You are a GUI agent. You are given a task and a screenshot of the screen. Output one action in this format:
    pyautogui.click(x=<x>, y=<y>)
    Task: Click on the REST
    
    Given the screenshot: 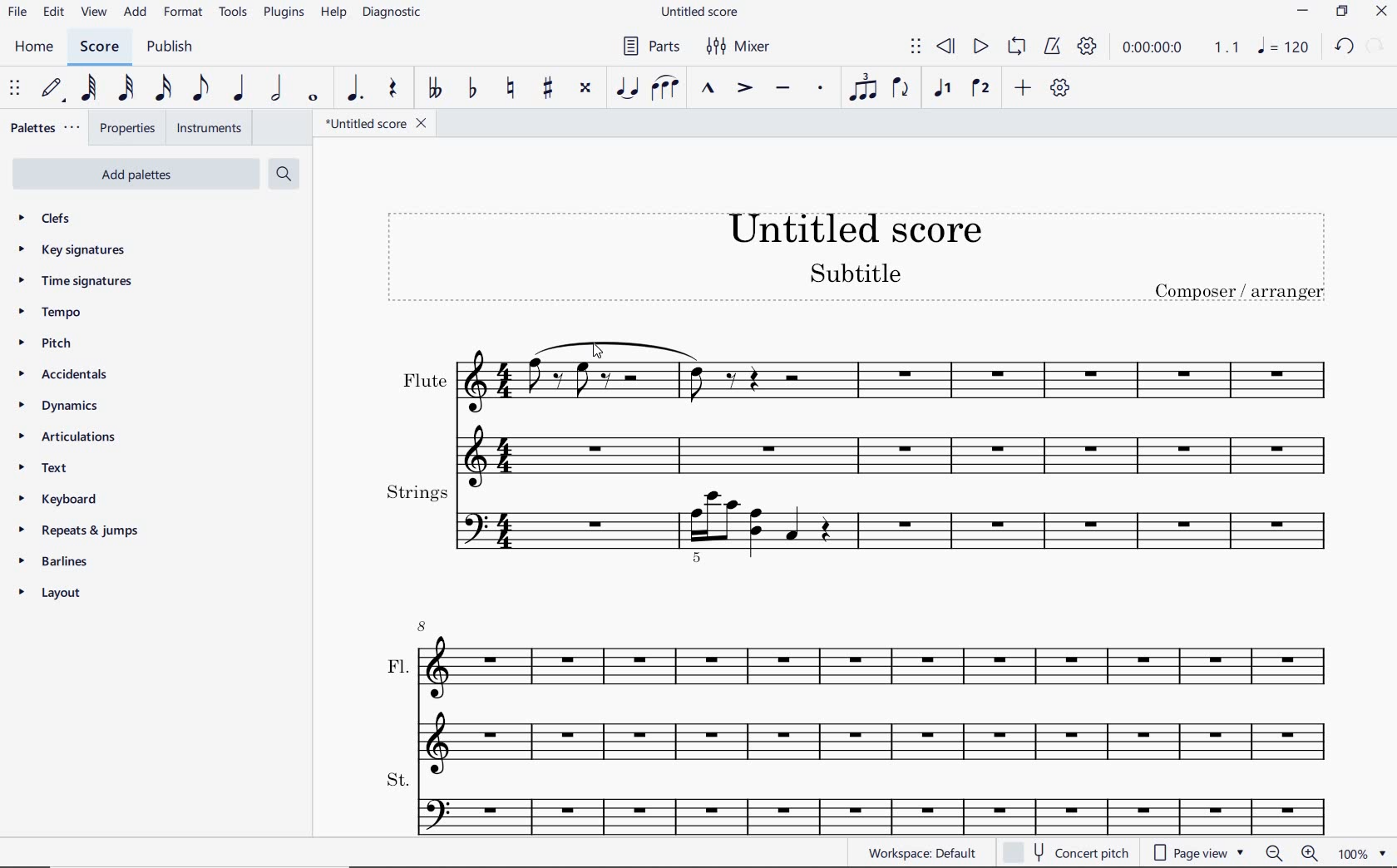 What is the action you would take?
    pyautogui.click(x=393, y=89)
    